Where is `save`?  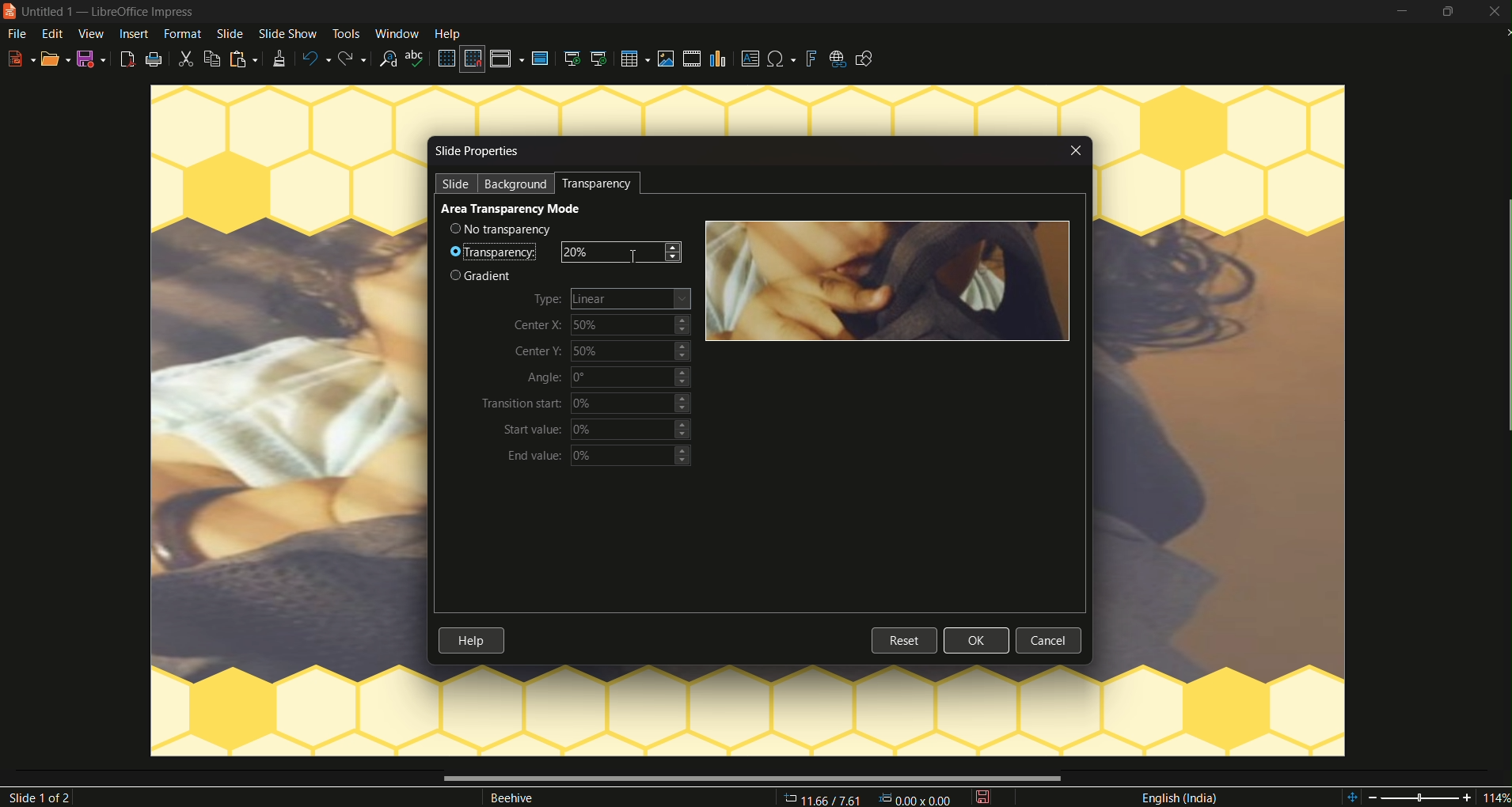 save is located at coordinates (92, 60).